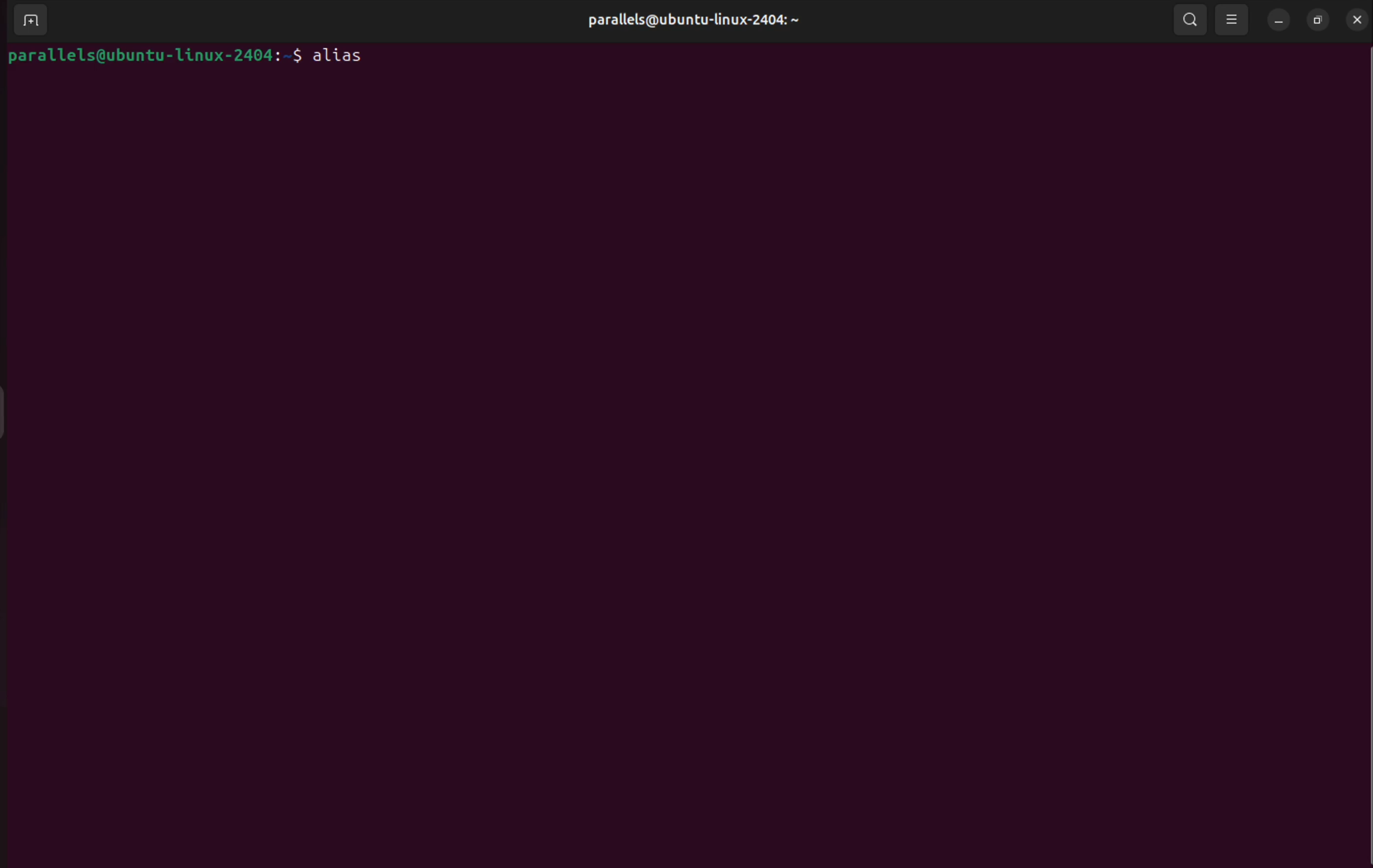 The height and width of the screenshot is (868, 1373). I want to click on alias, so click(340, 56).